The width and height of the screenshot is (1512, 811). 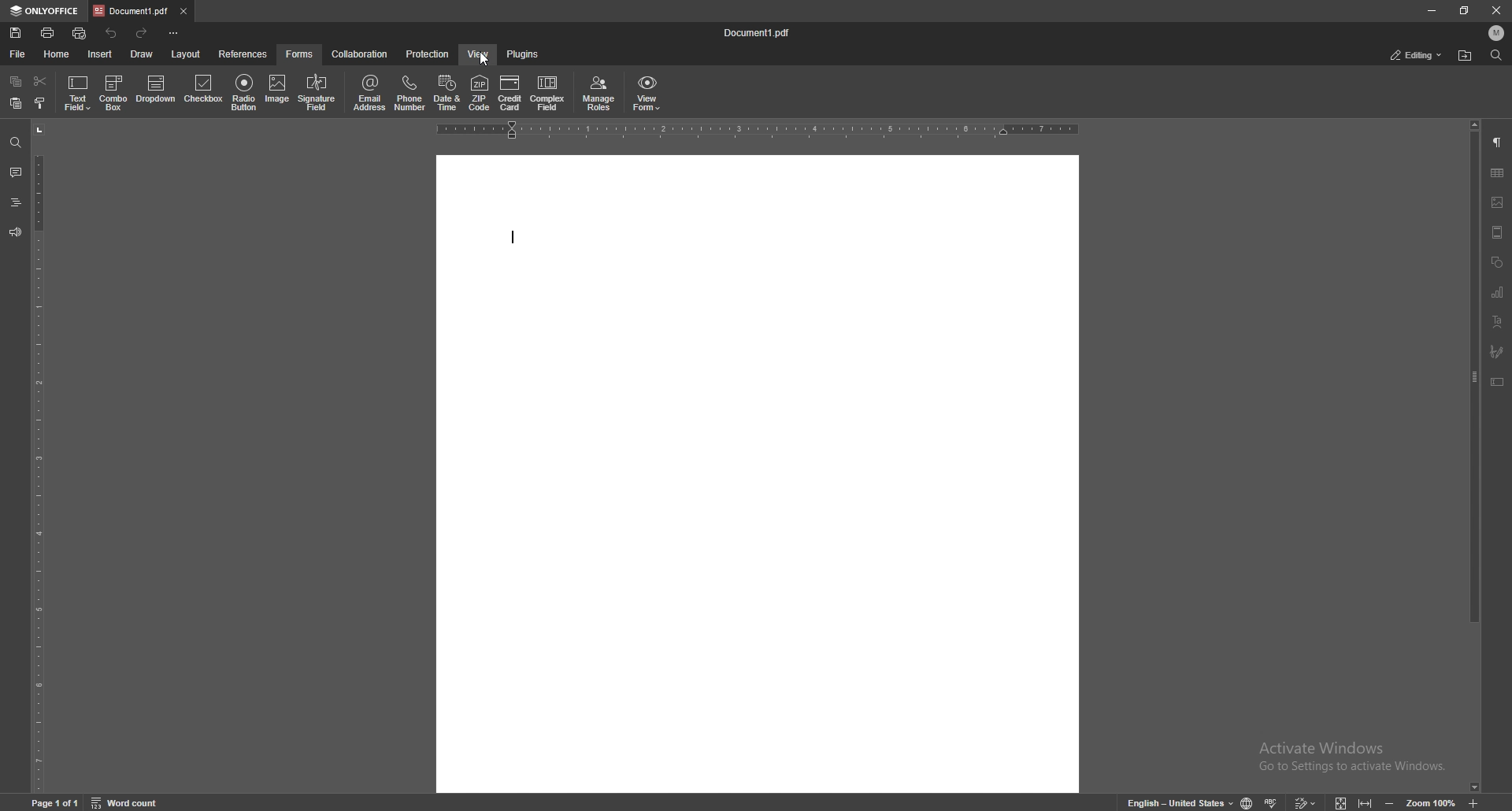 What do you see at coordinates (57, 802) in the screenshot?
I see `page` at bounding box center [57, 802].